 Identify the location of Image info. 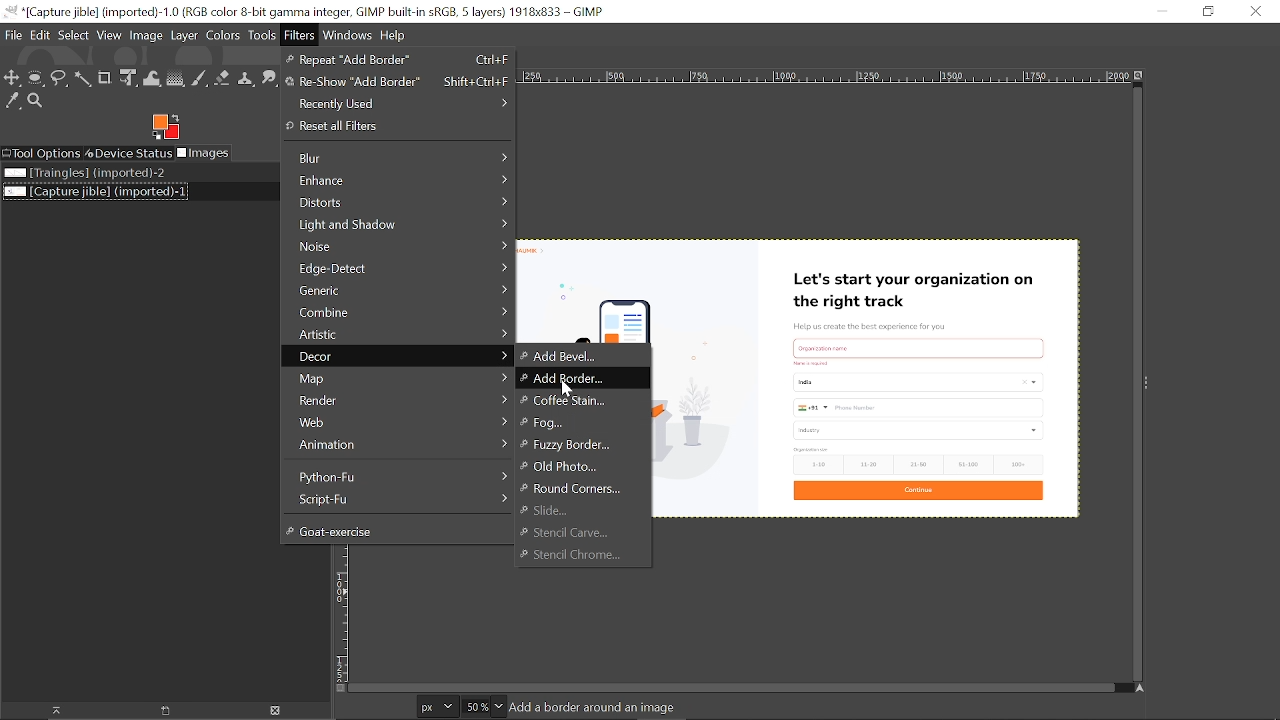
(597, 708).